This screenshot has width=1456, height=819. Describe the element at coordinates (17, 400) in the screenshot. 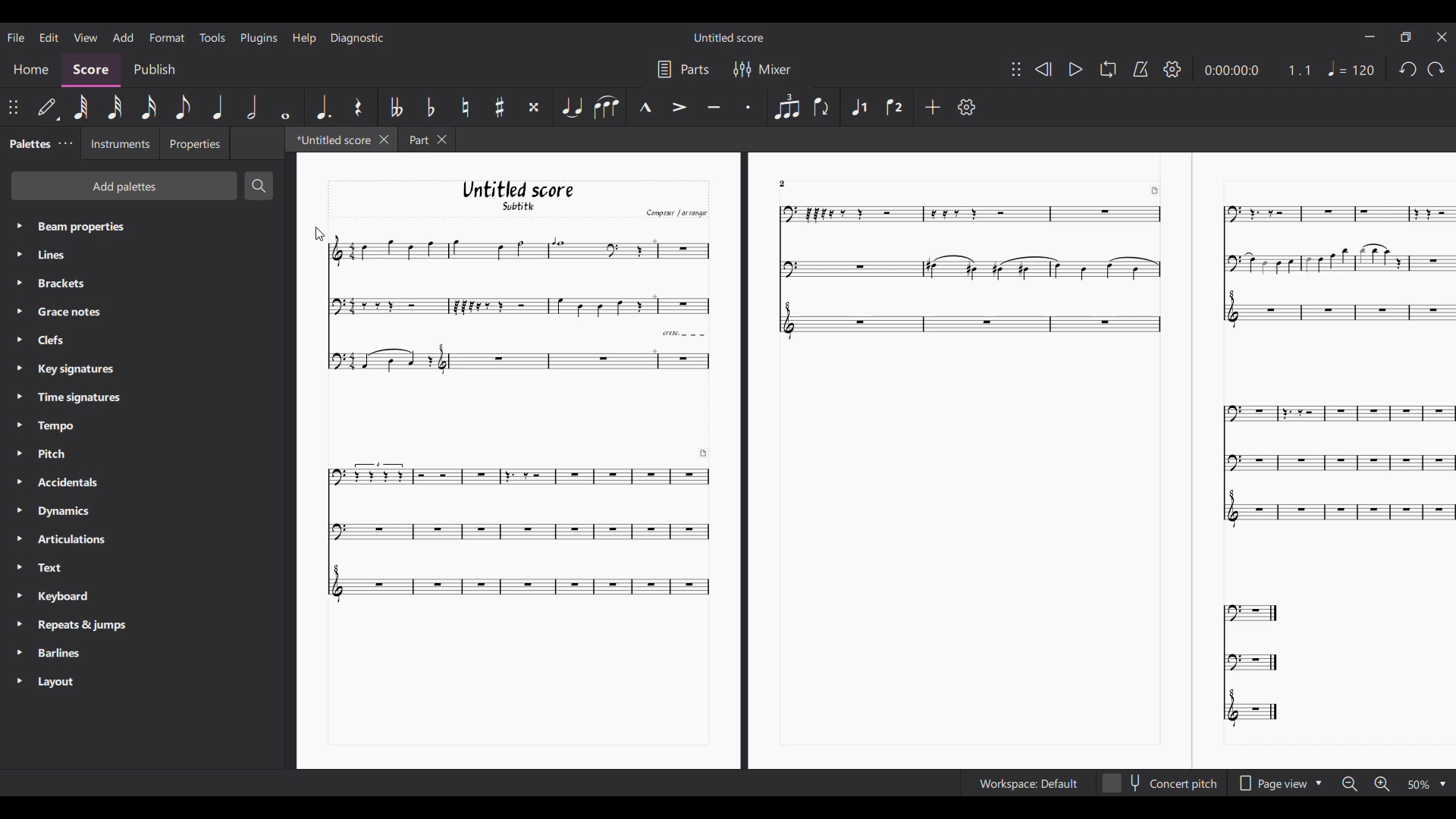

I see `` at that location.